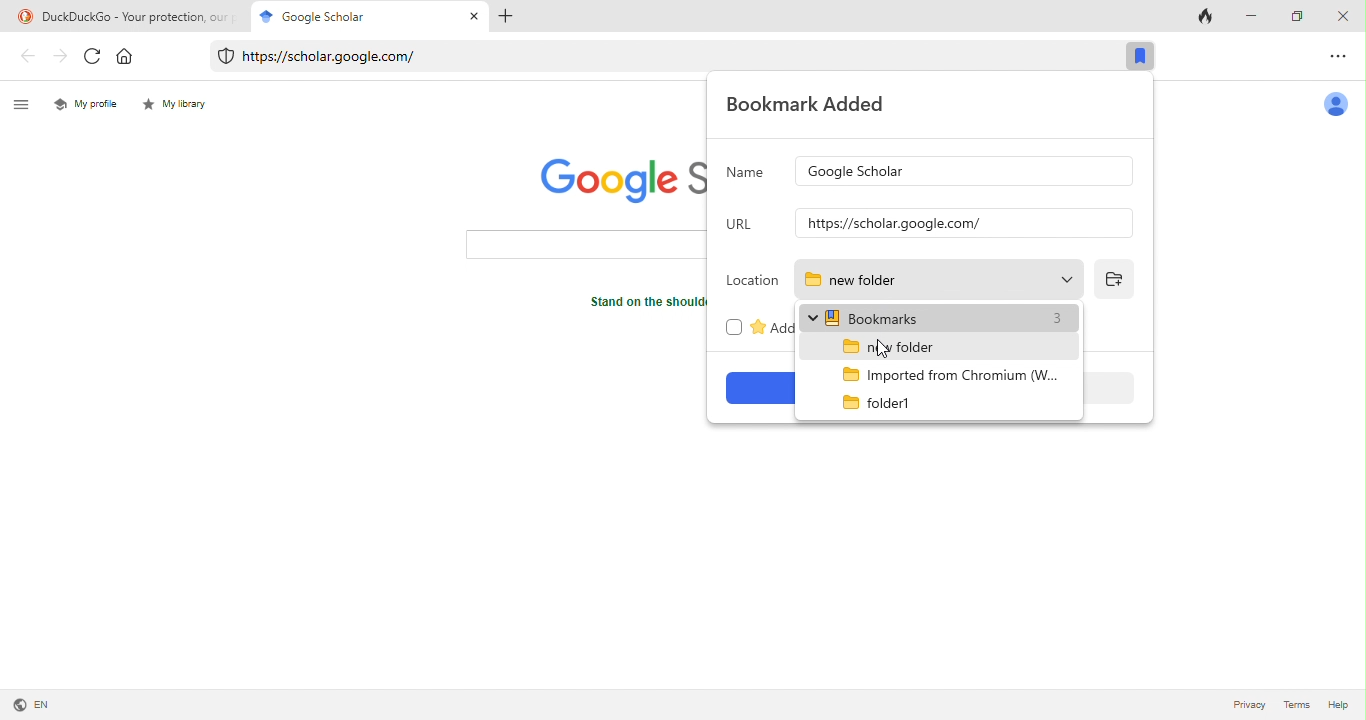  Describe the element at coordinates (657, 57) in the screenshot. I see `web link` at that location.